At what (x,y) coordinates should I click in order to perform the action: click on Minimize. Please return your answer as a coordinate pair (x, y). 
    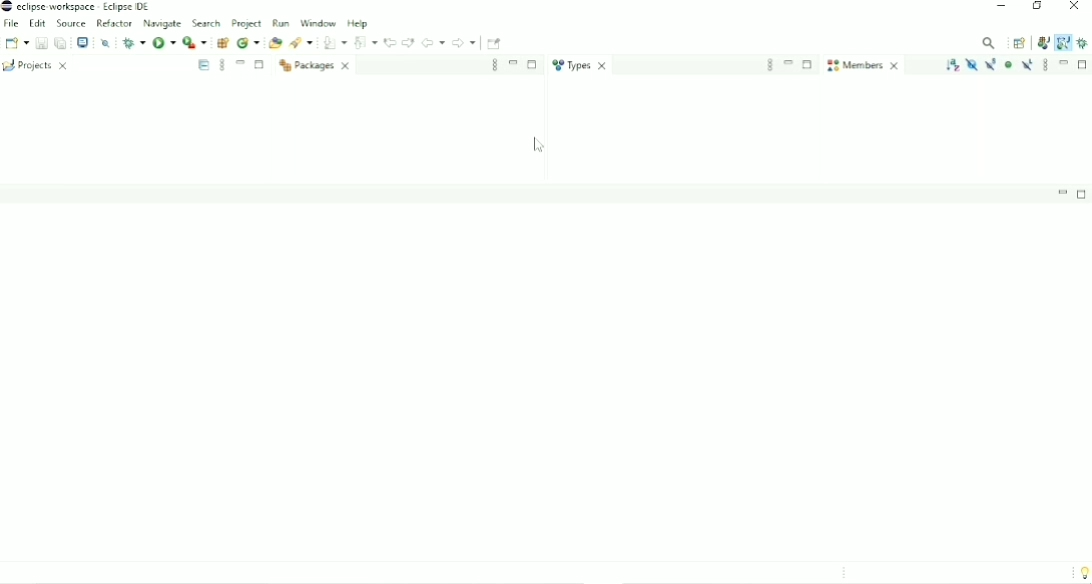
    Looking at the image, I should click on (1001, 8).